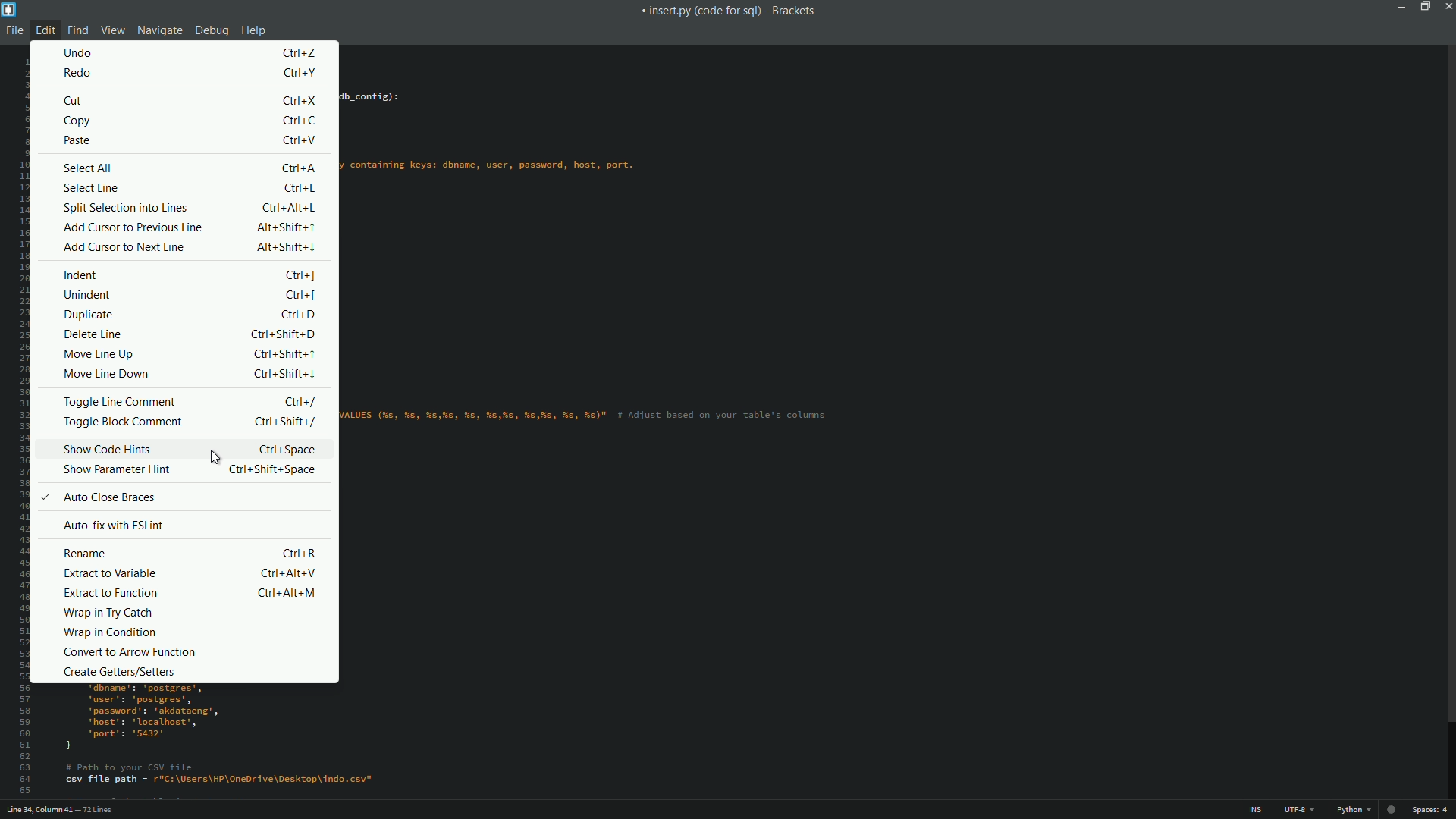  What do you see at coordinates (286, 594) in the screenshot?
I see `keyboard shortcut` at bounding box center [286, 594].